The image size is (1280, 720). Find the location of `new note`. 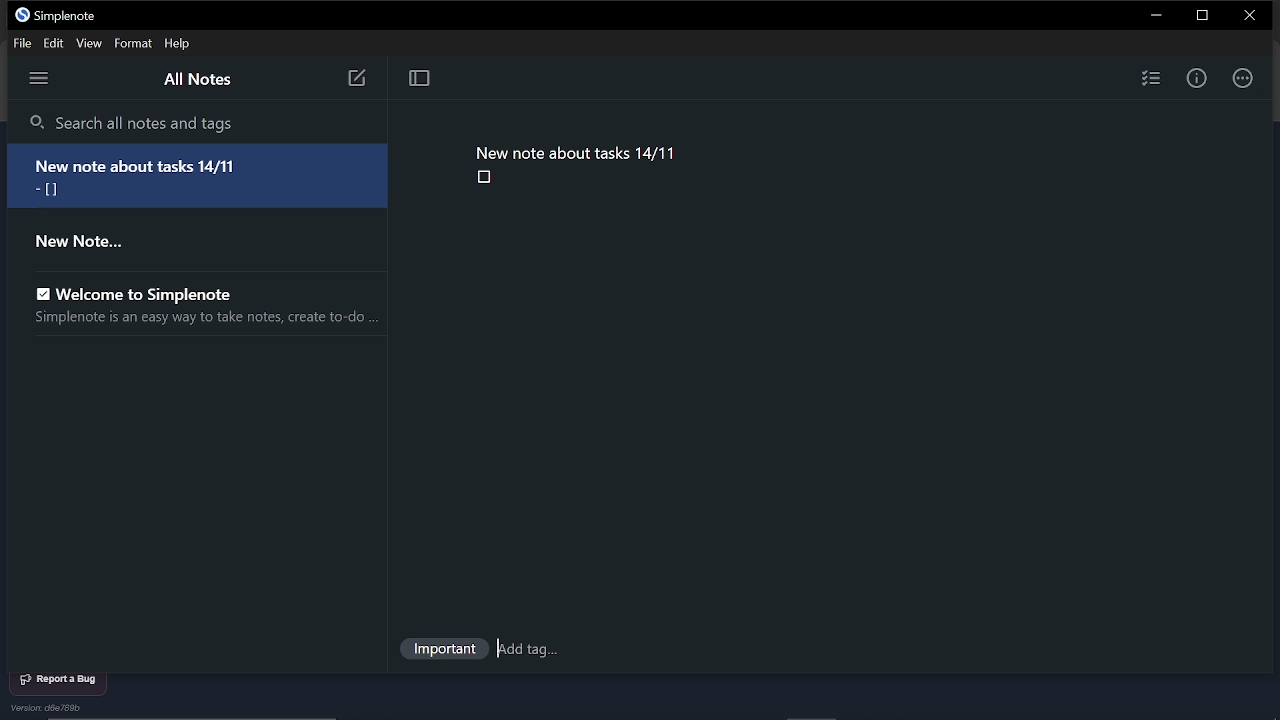

new note is located at coordinates (355, 80).